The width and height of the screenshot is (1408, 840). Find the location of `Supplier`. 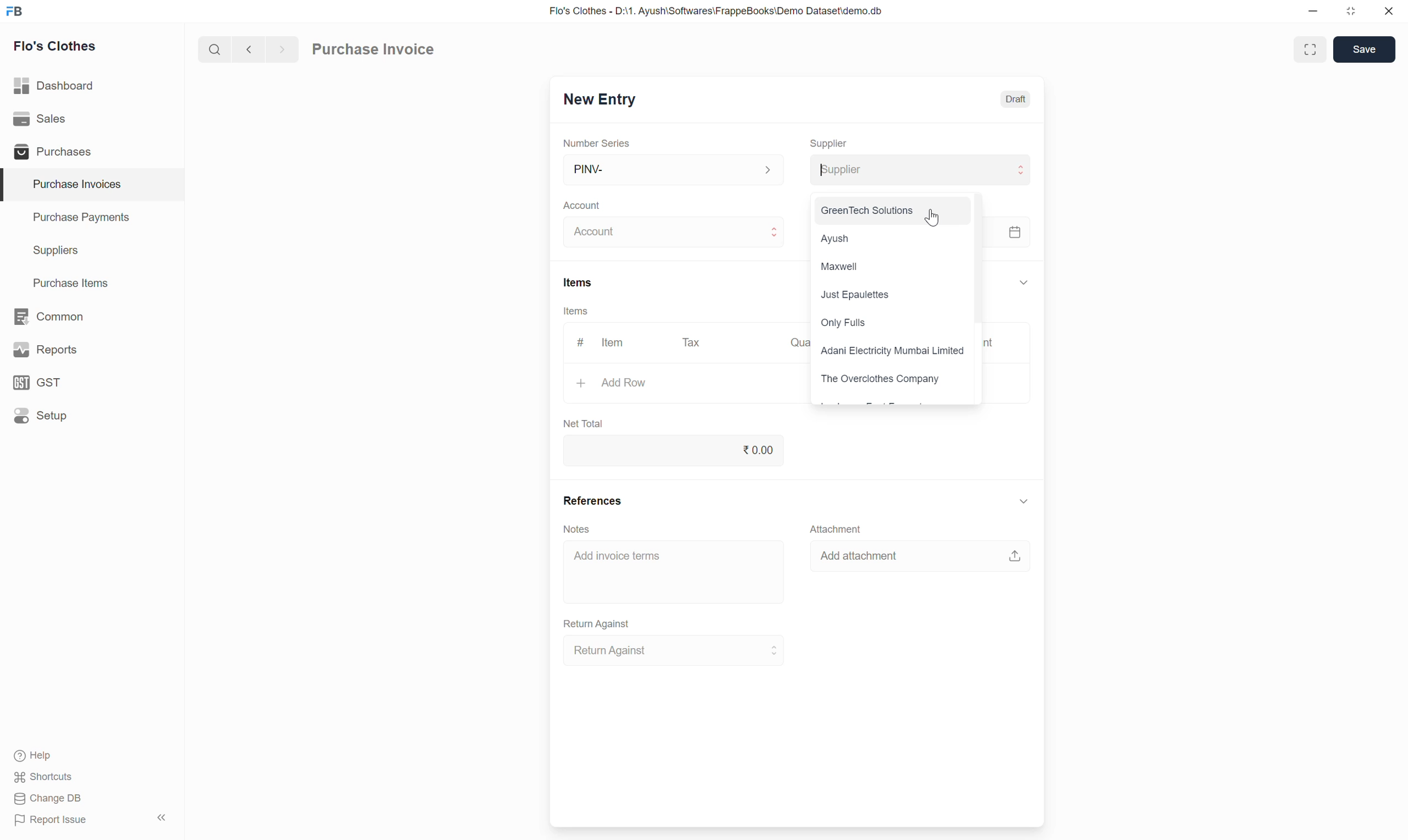

Supplier is located at coordinates (921, 170).